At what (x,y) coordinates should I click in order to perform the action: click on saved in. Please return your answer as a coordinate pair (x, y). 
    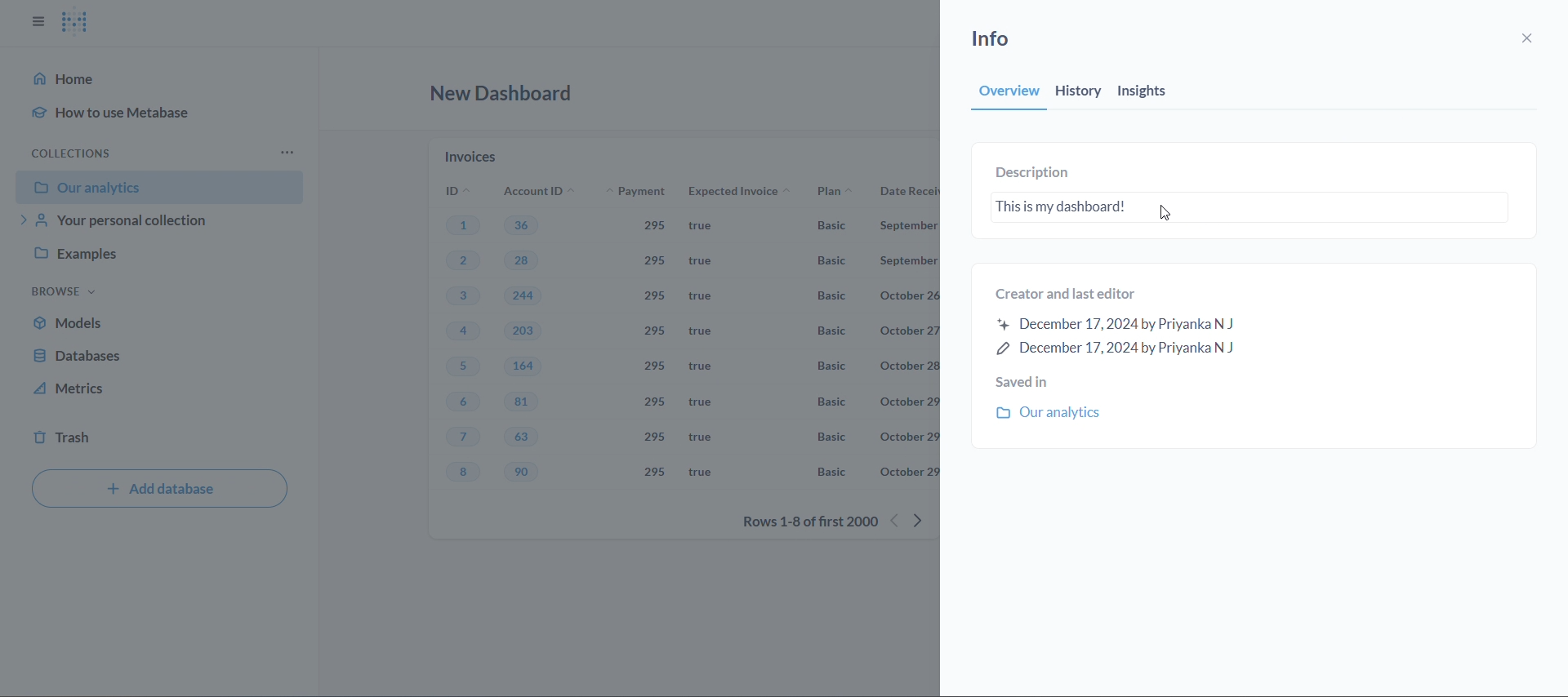
    Looking at the image, I should click on (1048, 381).